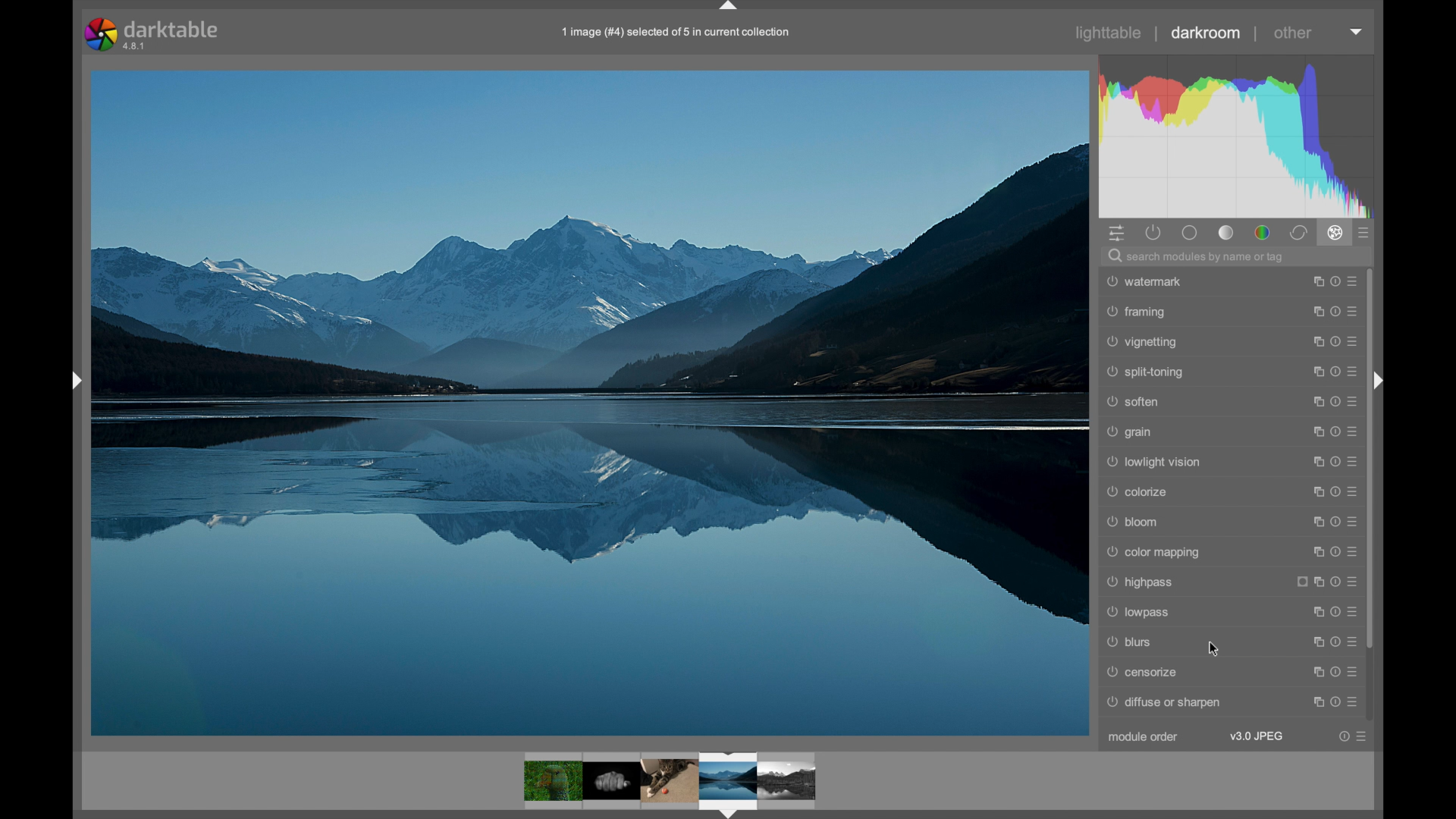 The height and width of the screenshot is (819, 1456). Describe the element at coordinates (1352, 613) in the screenshot. I see `more options` at that location.